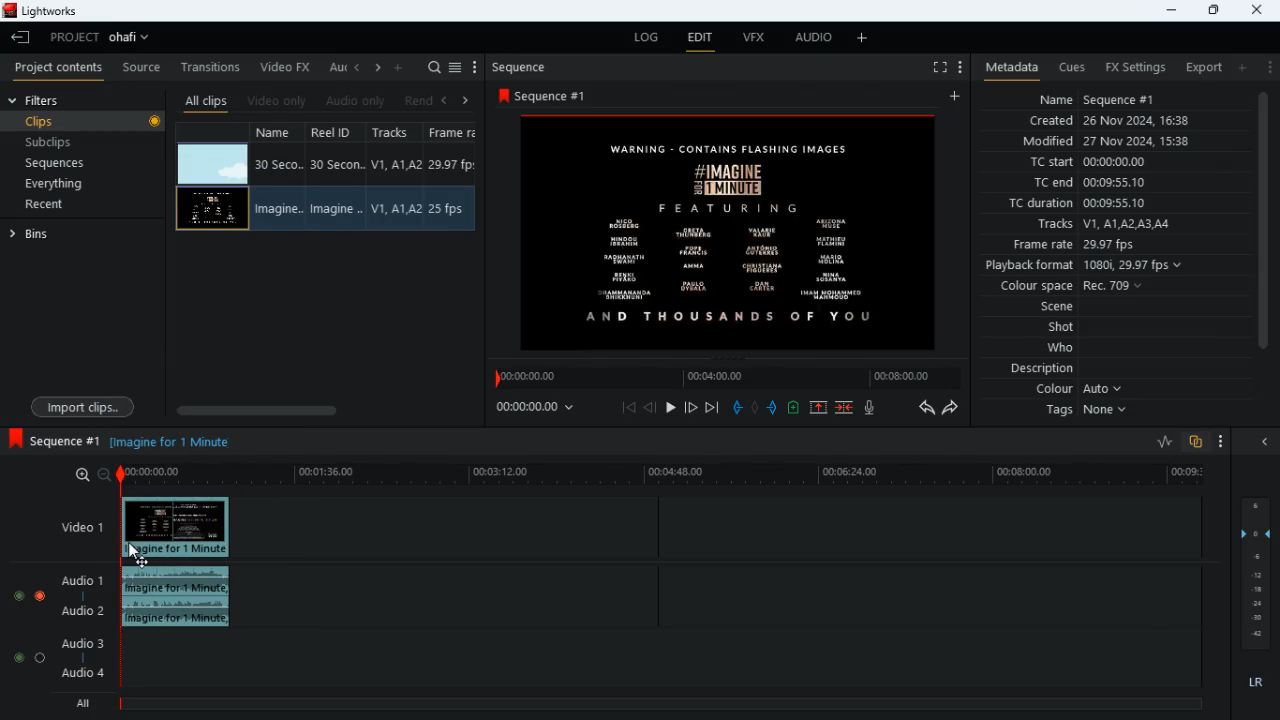 Image resolution: width=1280 pixels, height=720 pixels. I want to click on scroll, so click(1265, 233).